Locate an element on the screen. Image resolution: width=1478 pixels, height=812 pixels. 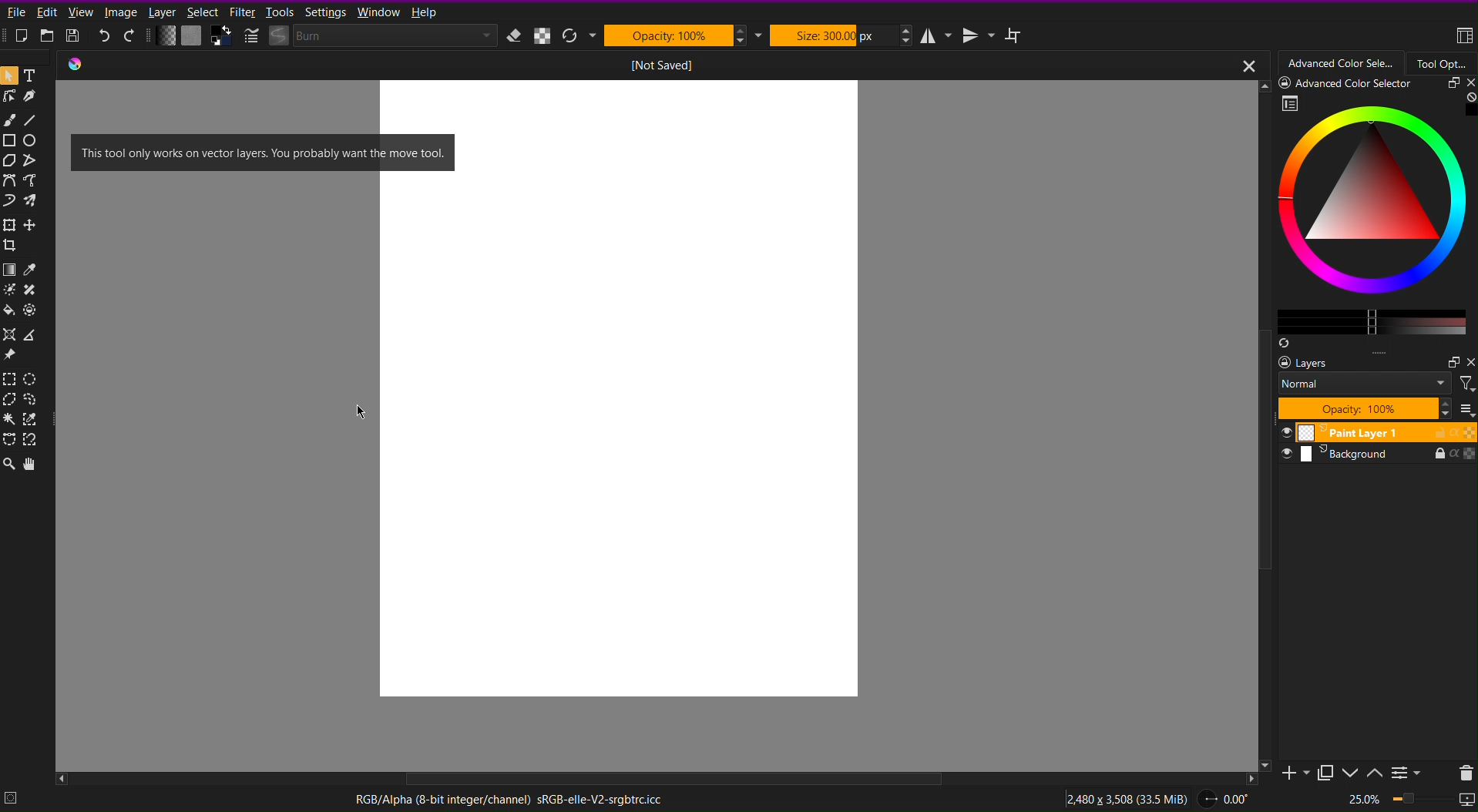
Zoom is located at coordinates (9, 465).